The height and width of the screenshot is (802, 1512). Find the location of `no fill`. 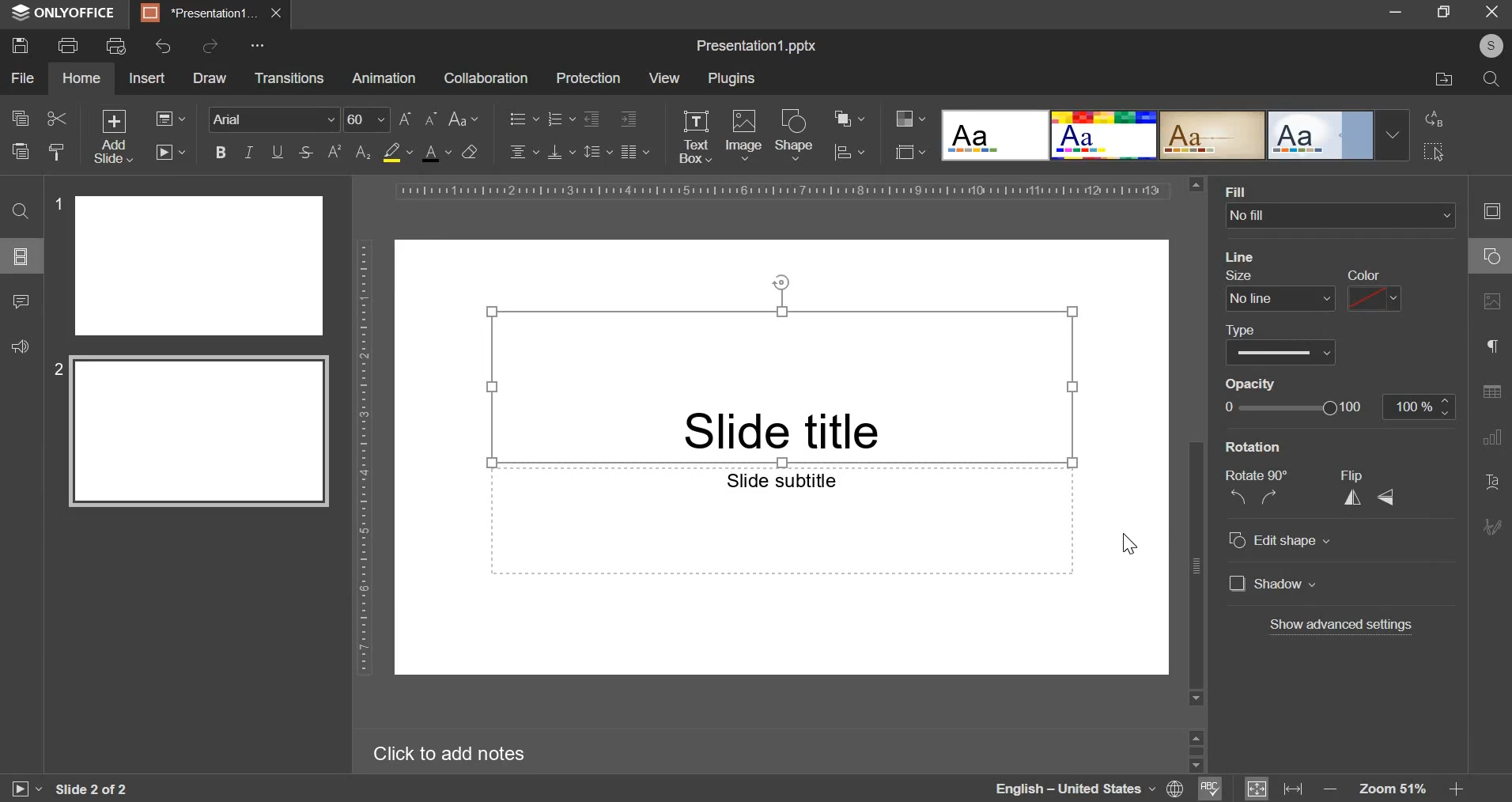

no fill is located at coordinates (1341, 217).